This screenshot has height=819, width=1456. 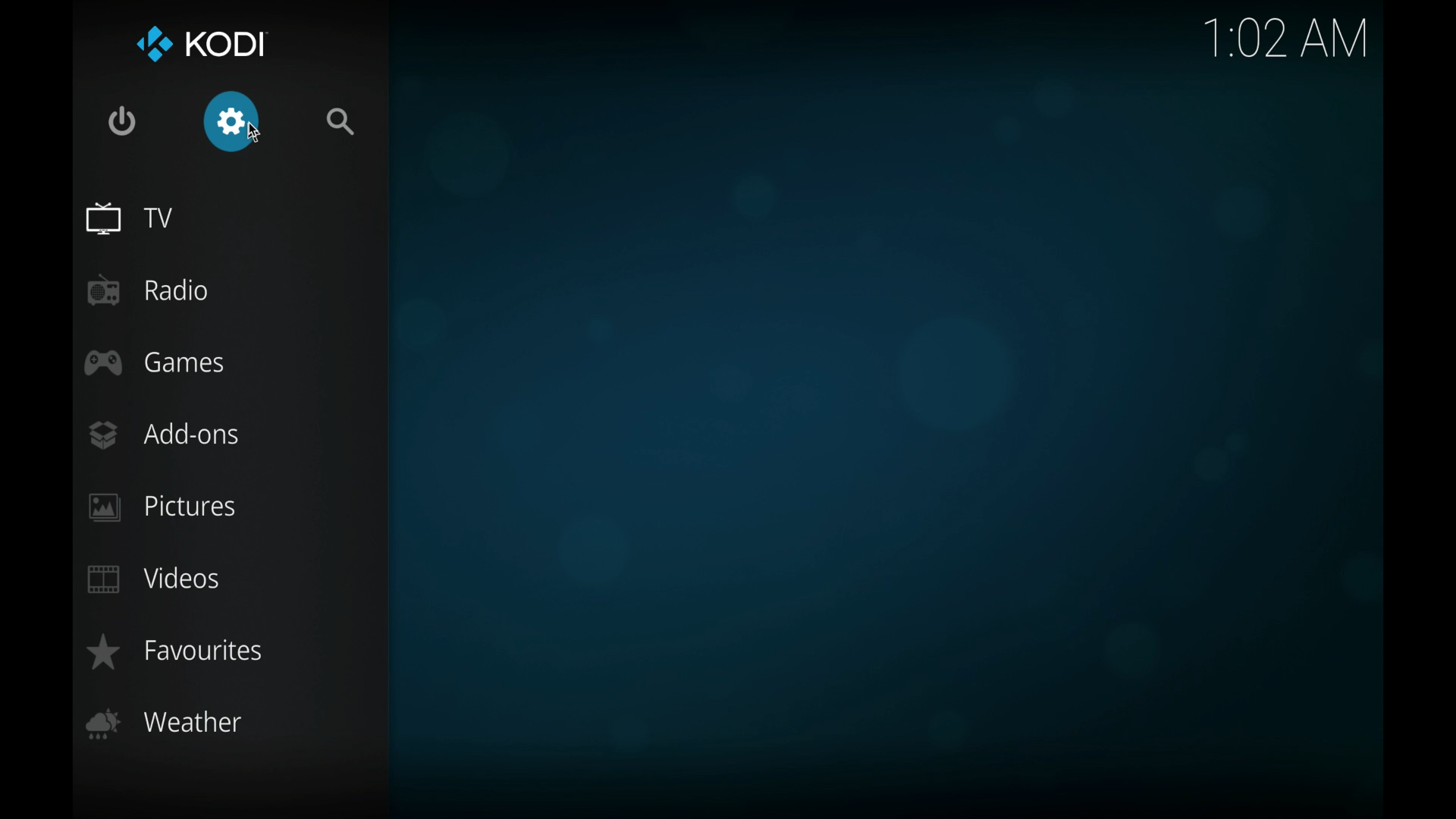 I want to click on TV, so click(x=128, y=218).